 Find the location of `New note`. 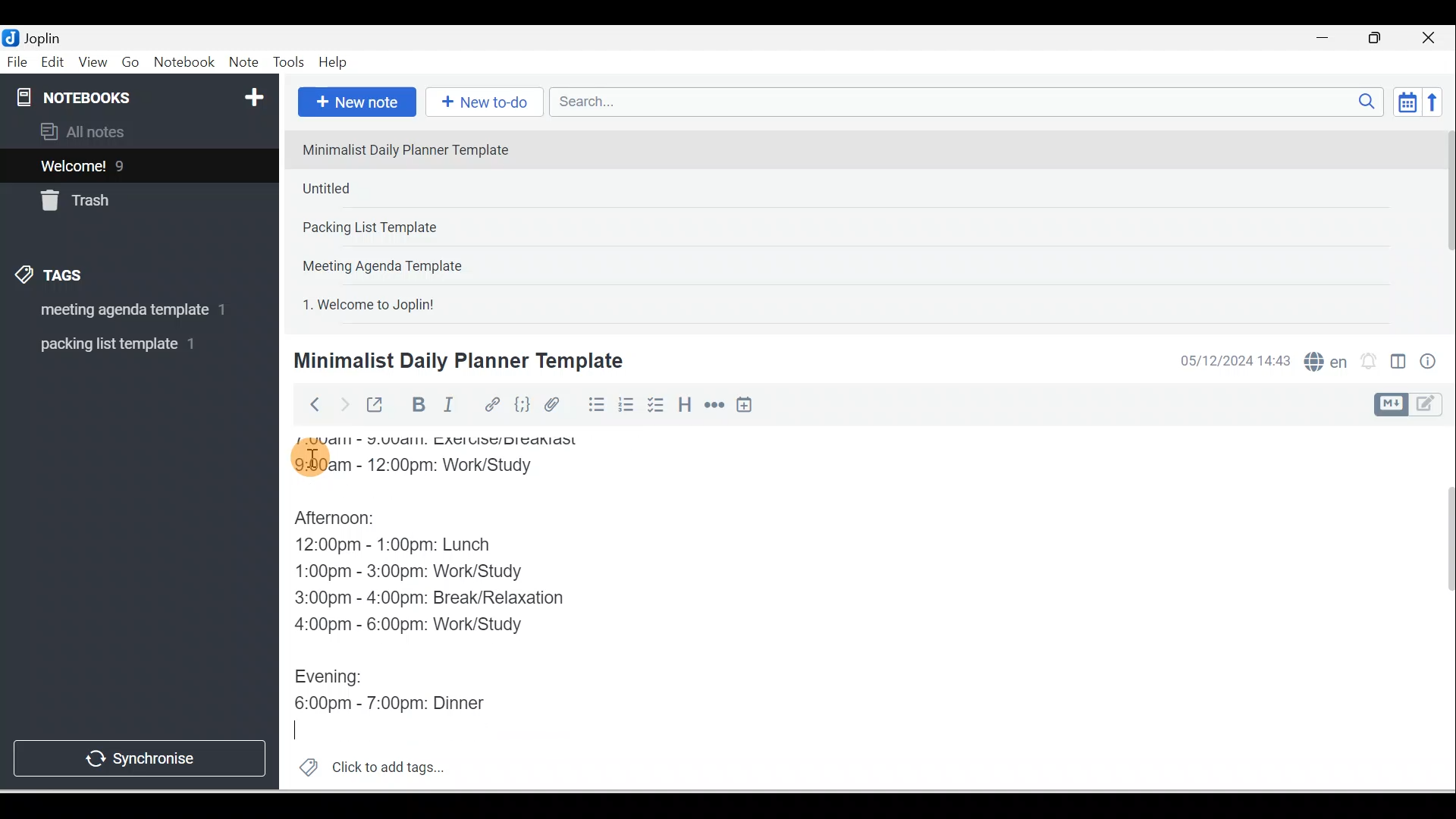

New note is located at coordinates (354, 103).